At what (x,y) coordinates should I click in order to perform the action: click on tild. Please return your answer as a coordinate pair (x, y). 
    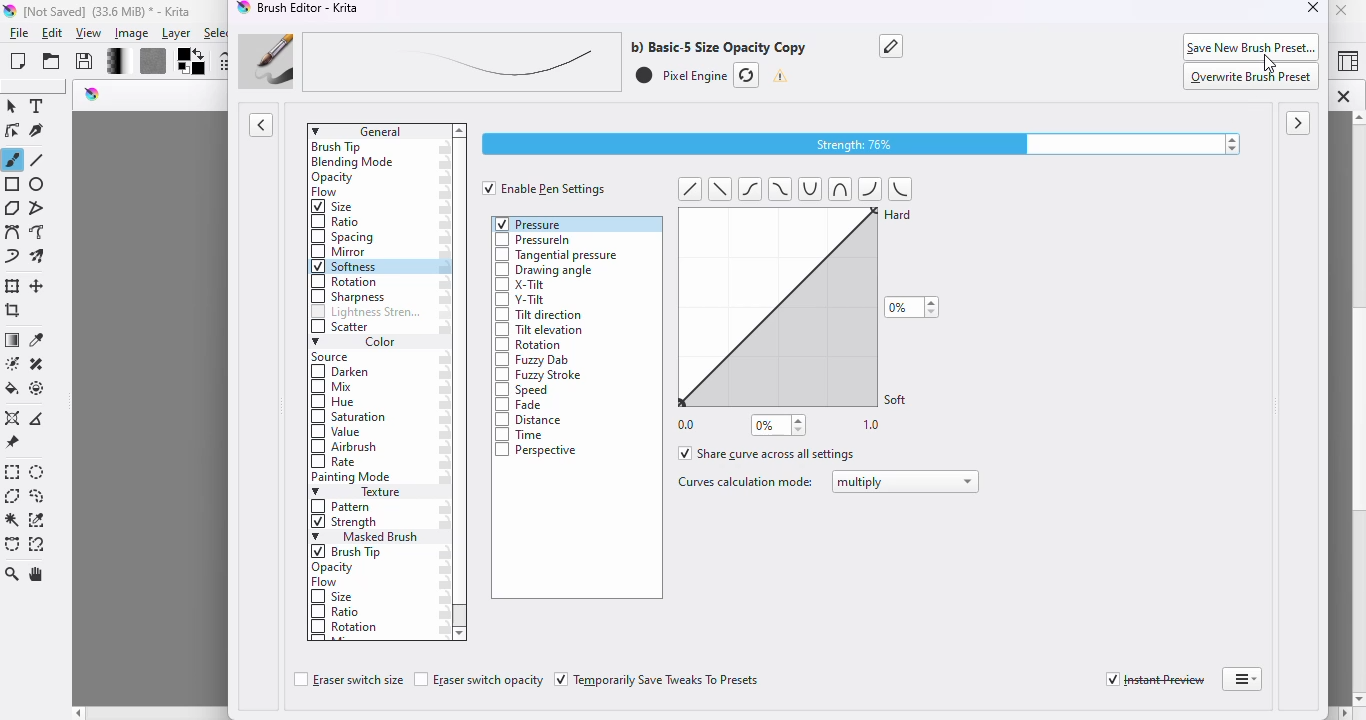
    Looking at the image, I should click on (752, 188).